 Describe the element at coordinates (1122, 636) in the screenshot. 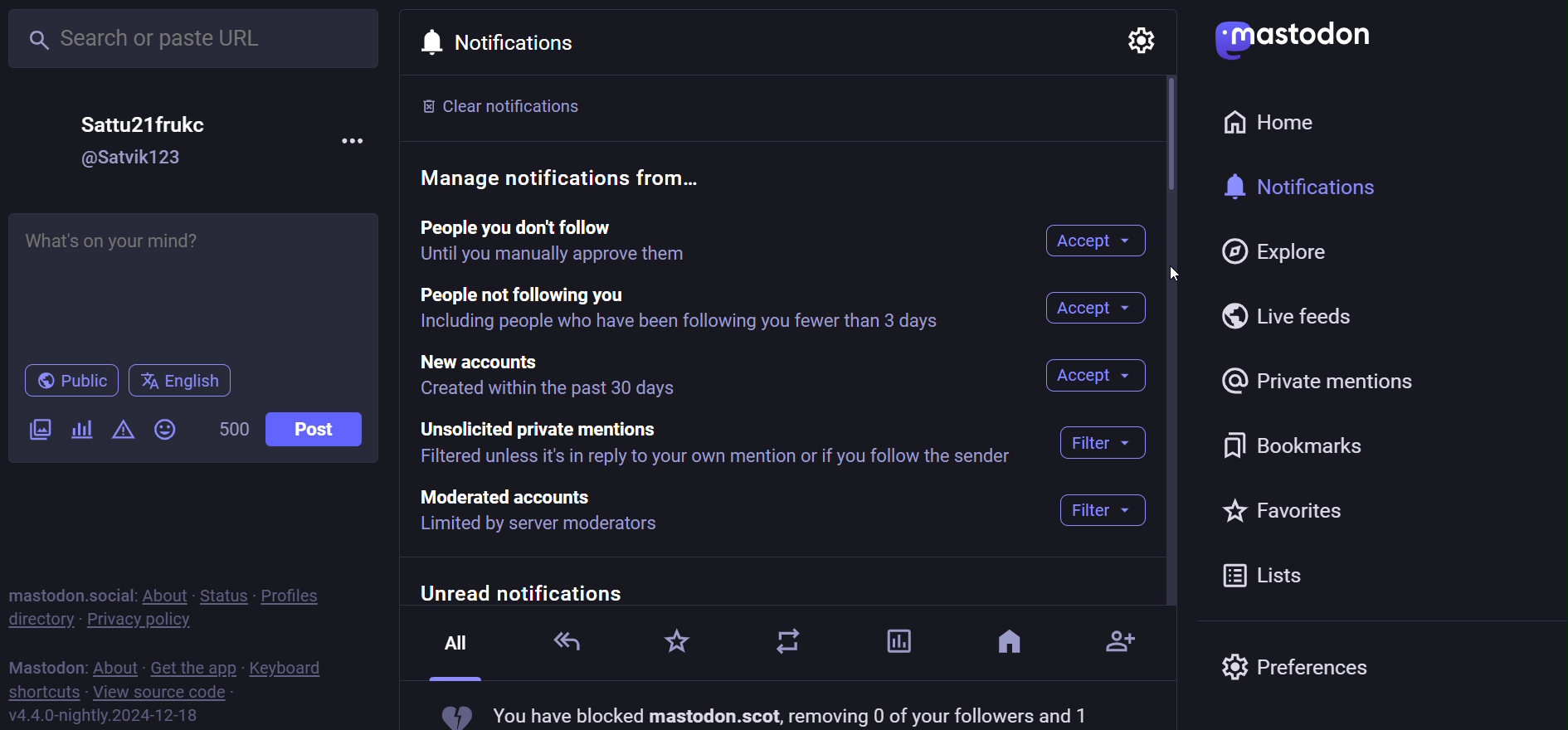

I see `invite` at that location.